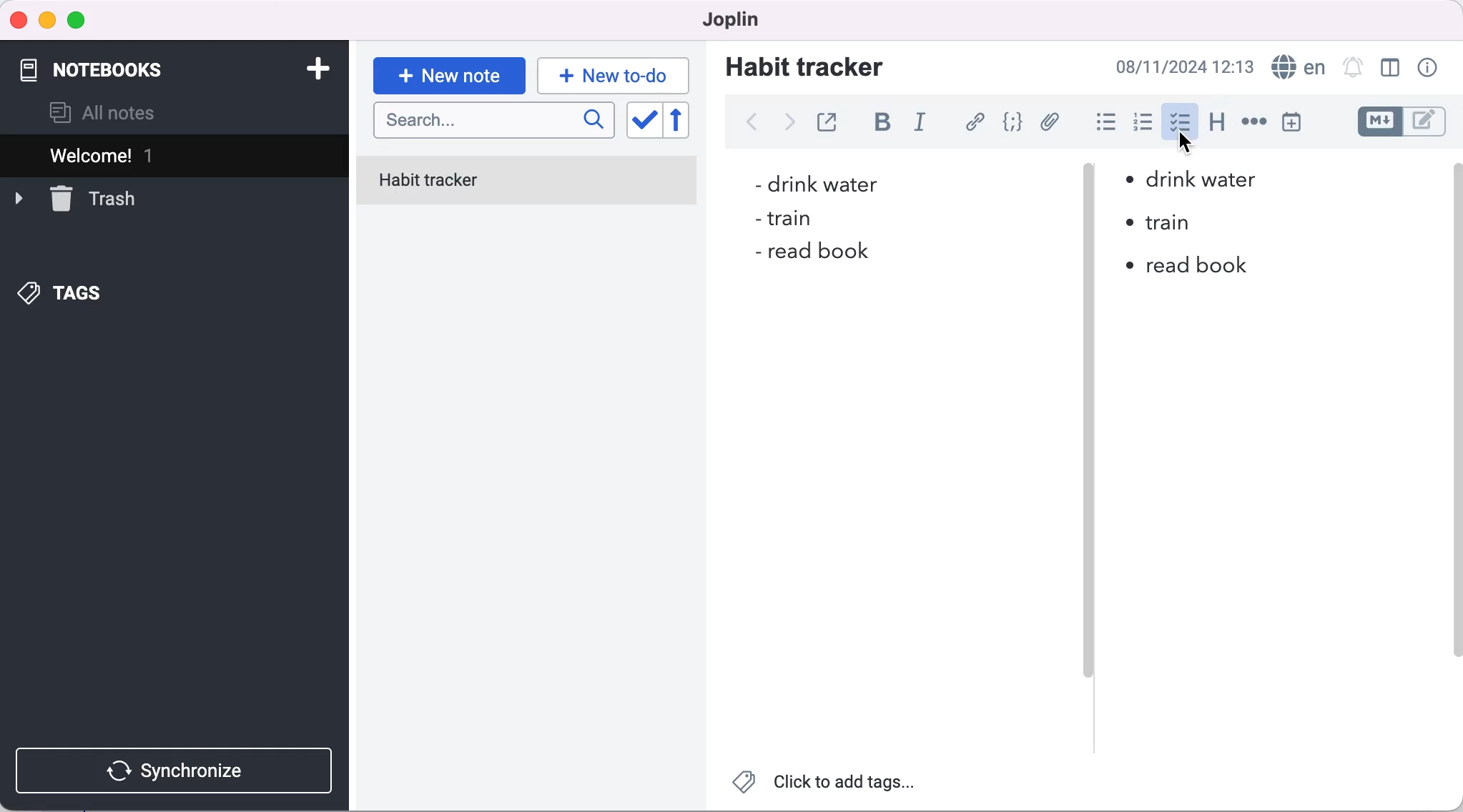 This screenshot has width=1463, height=812. I want to click on - drink water, so click(809, 183).